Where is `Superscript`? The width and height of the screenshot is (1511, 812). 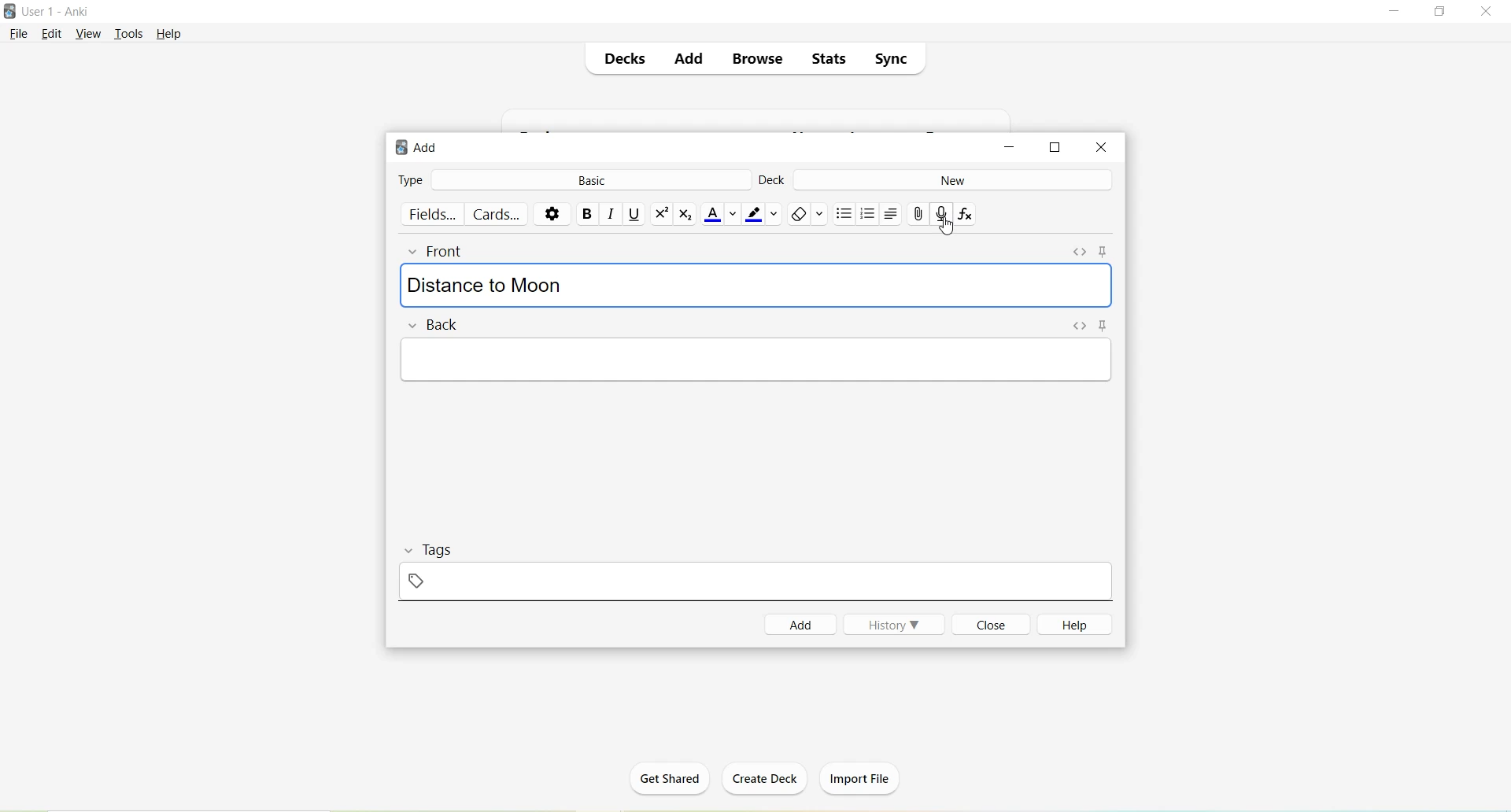
Superscript is located at coordinates (661, 216).